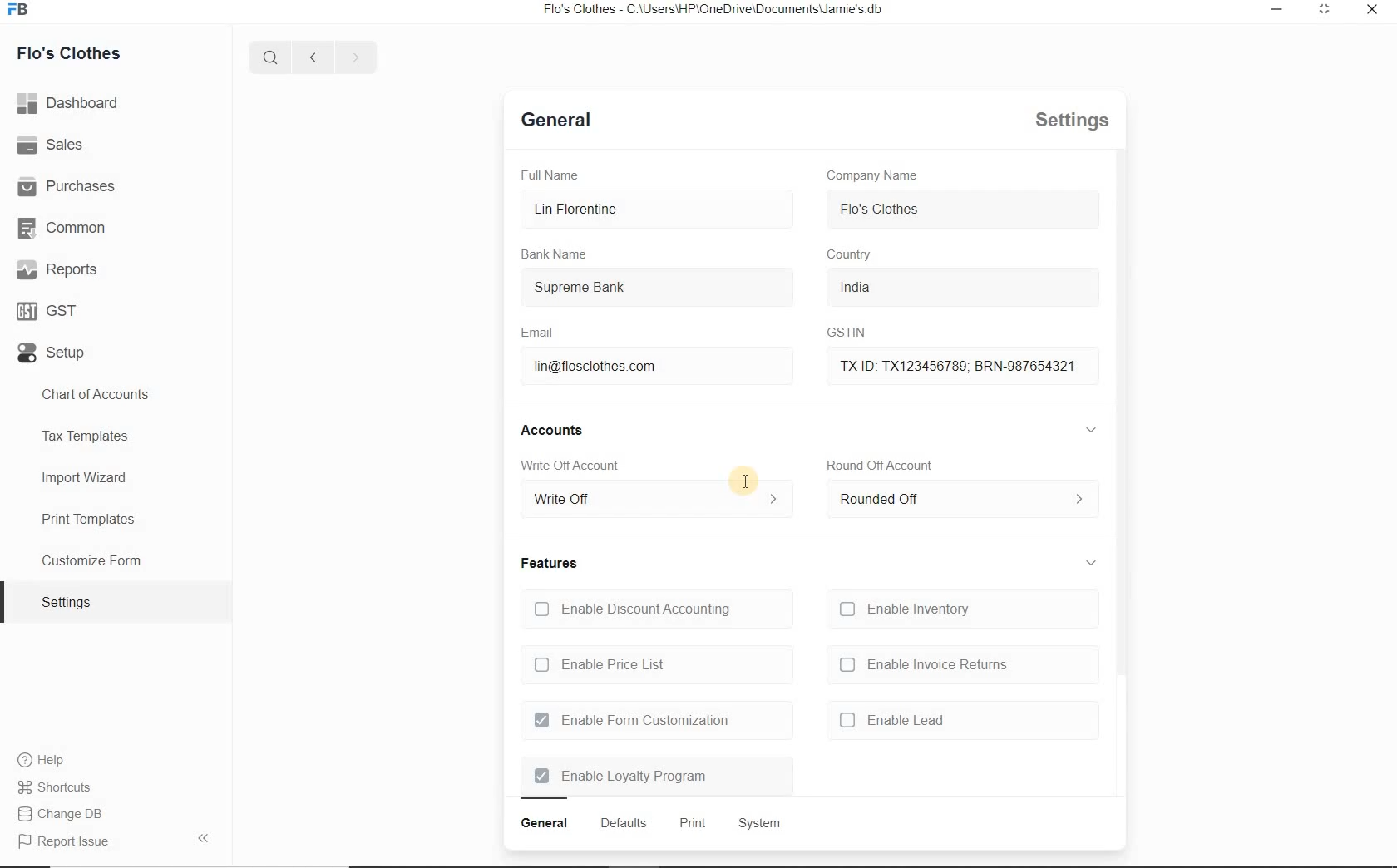  Describe the element at coordinates (1370, 11) in the screenshot. I see `Close` at that location.